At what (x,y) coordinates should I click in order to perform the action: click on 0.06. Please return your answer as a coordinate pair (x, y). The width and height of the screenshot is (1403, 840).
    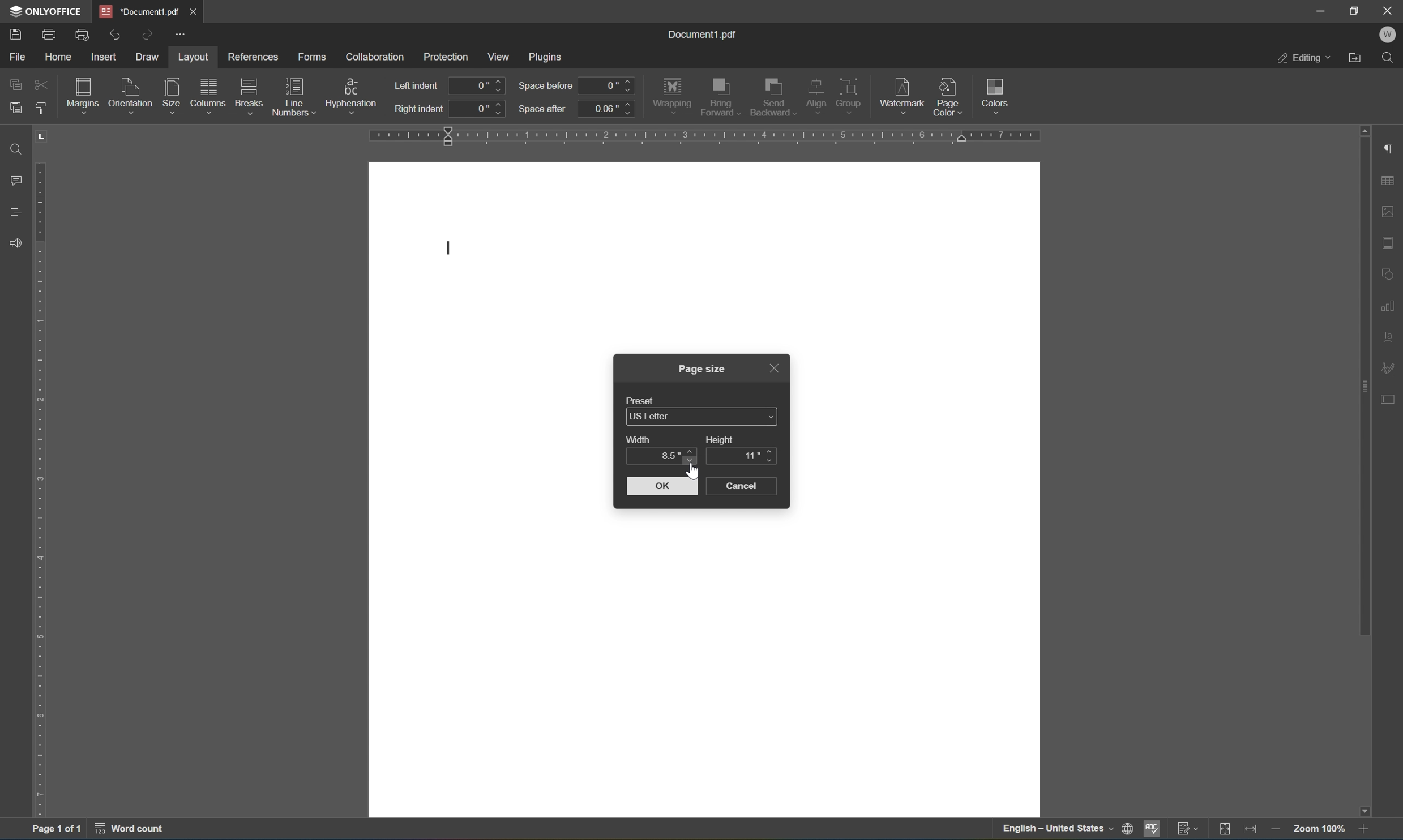
    Looking at the image, I should click on (607, 108).